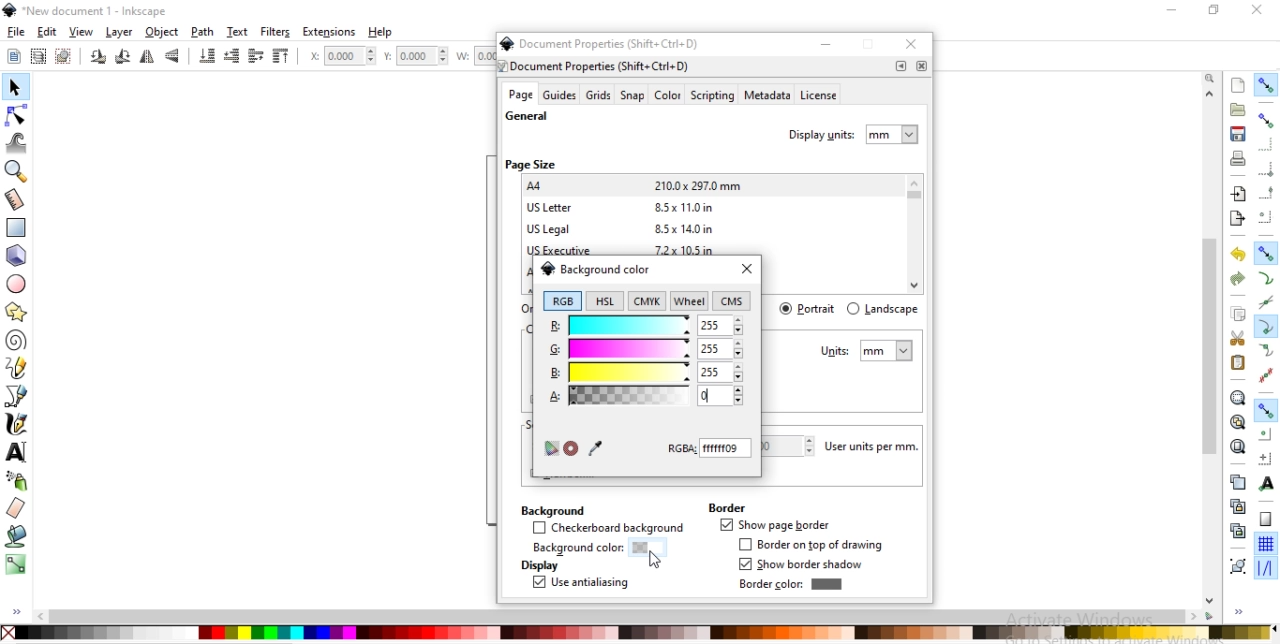 The image size is (1280, 644). I want to click on use antiliasing, so click(580, 584).